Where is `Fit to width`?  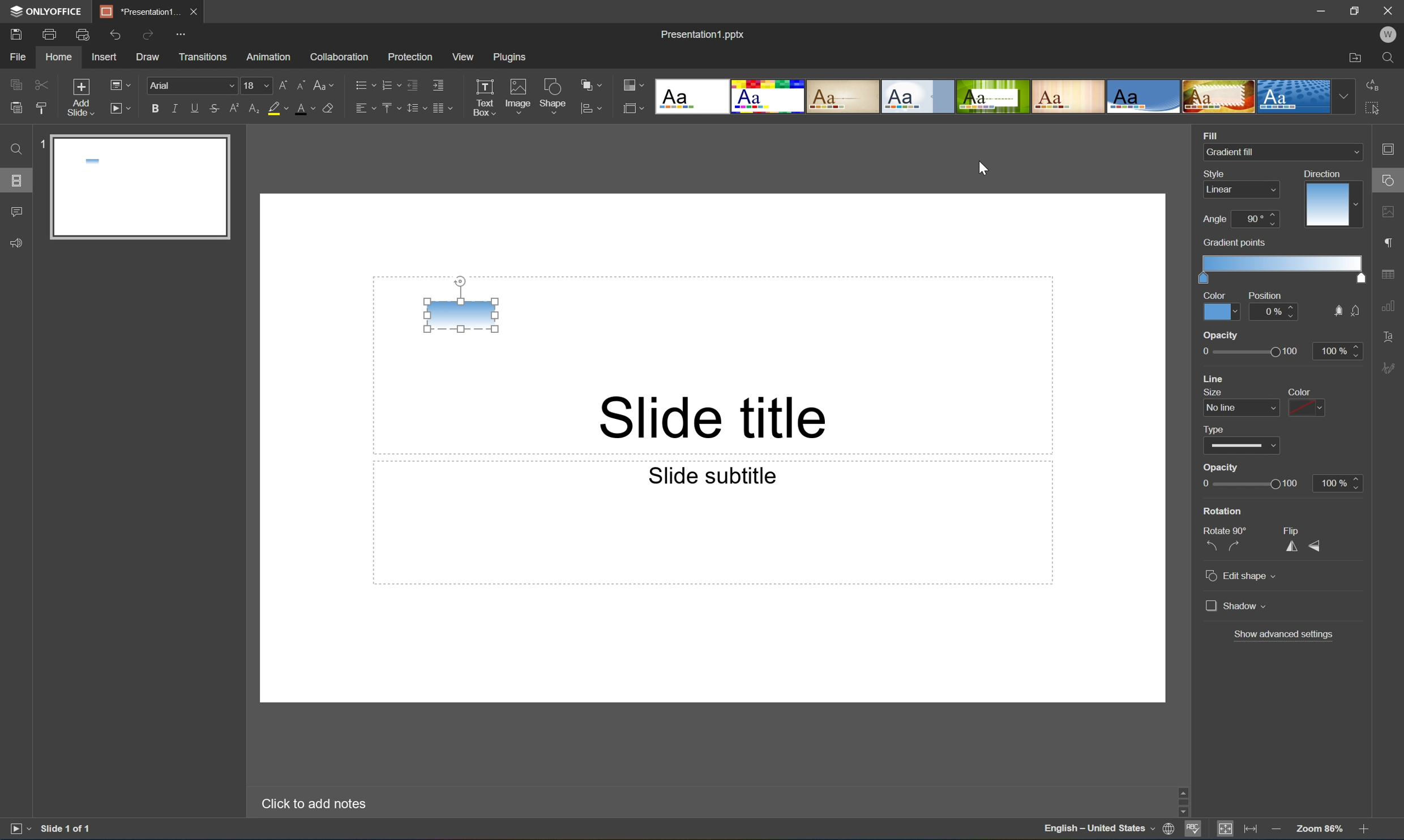 Fit to width is located at coordinates (1251, 830).